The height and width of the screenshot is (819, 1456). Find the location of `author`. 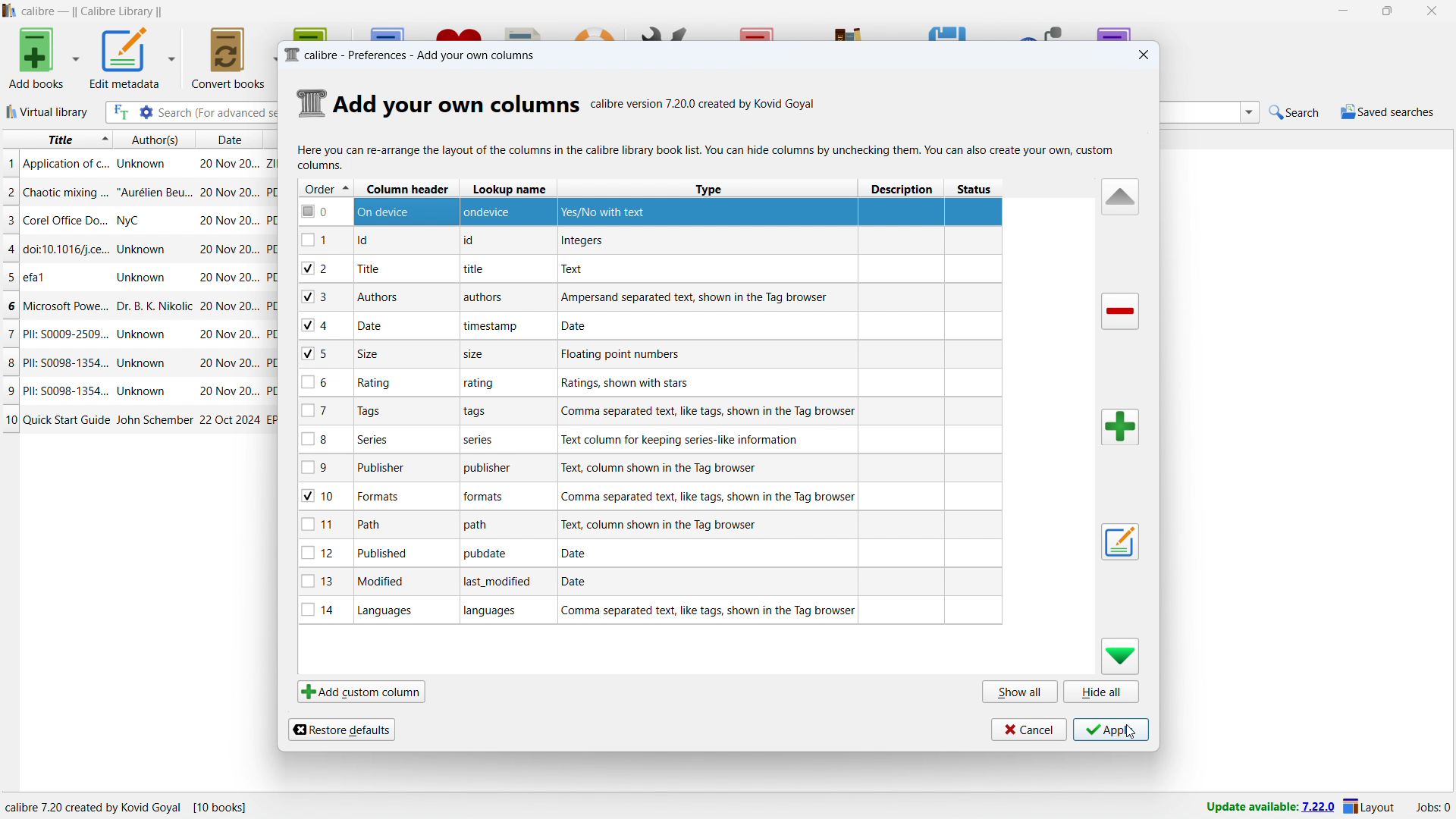

author is located at coordinates (146, 336).